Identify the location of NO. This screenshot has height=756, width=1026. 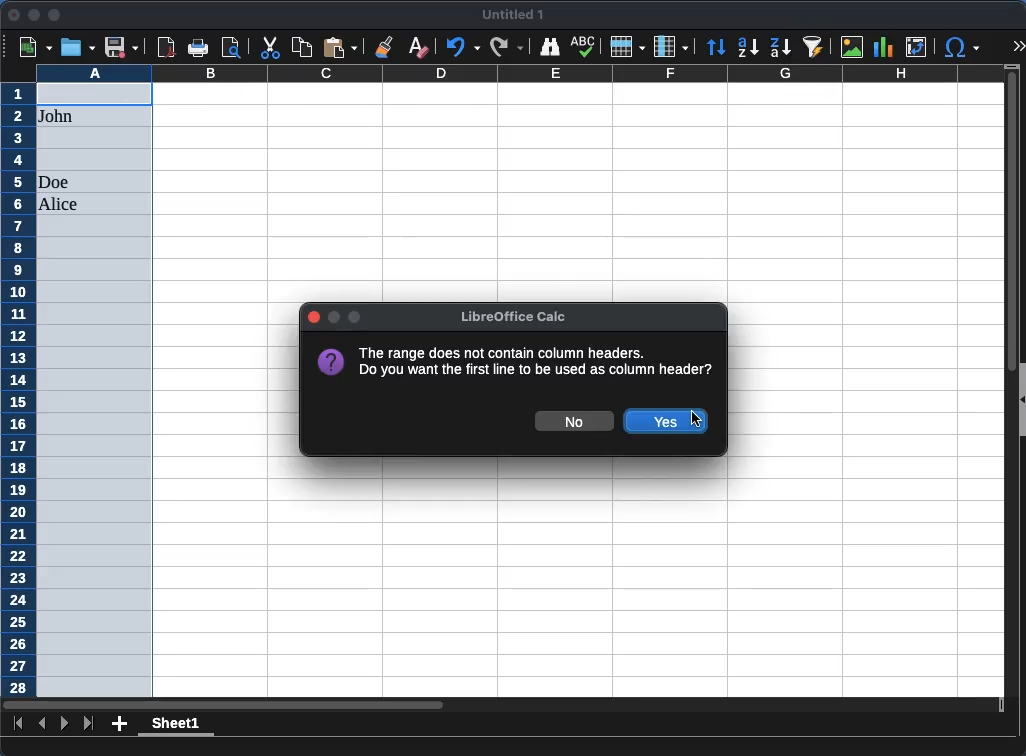
(573, 421).